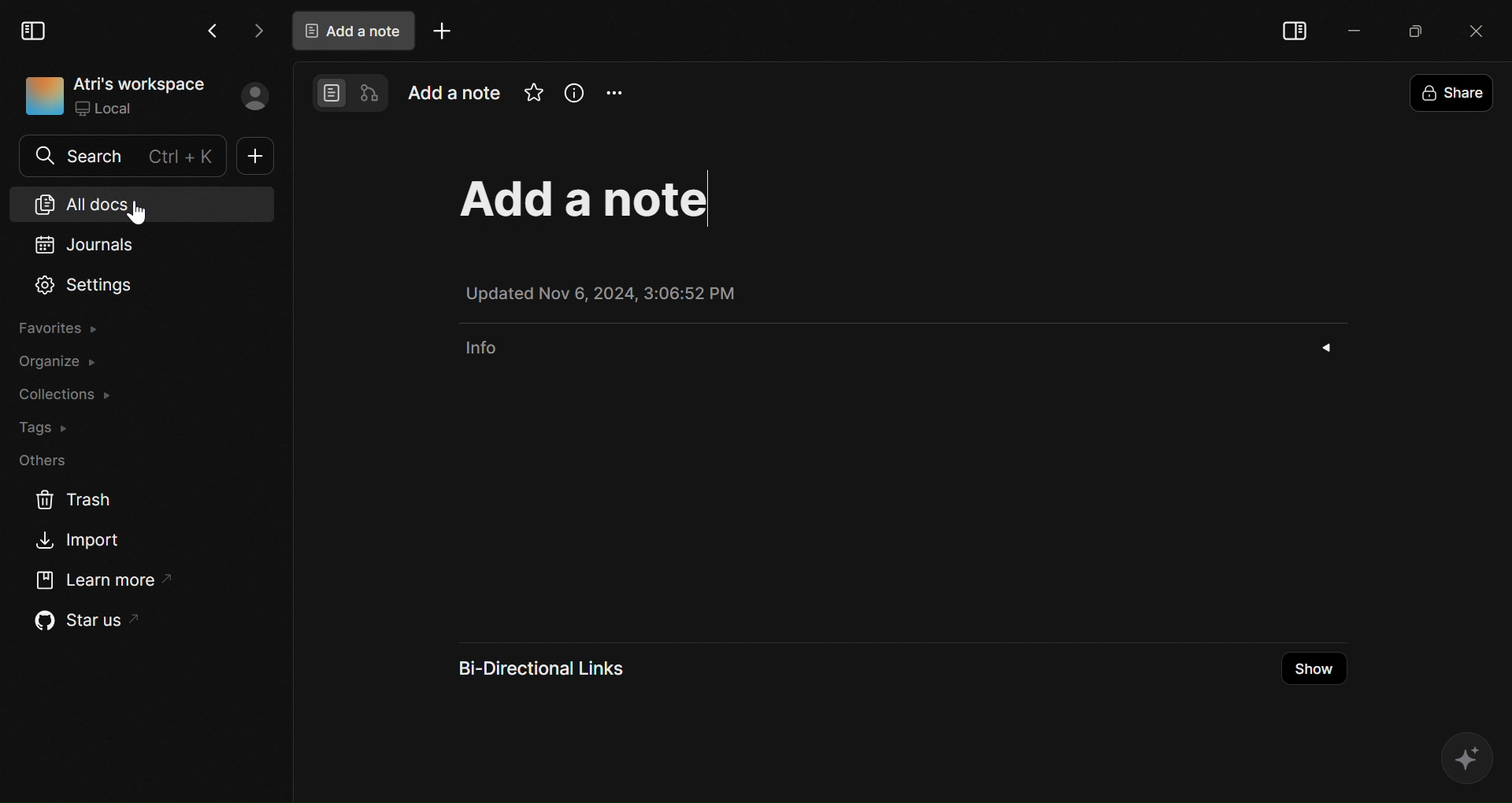 Image resolution: width=1512 pixels, height=803 pixels. What do you see at coordinates (369, 92) in the screenshot?
I see `Edgeless mode` at bounding box center [369, 92].